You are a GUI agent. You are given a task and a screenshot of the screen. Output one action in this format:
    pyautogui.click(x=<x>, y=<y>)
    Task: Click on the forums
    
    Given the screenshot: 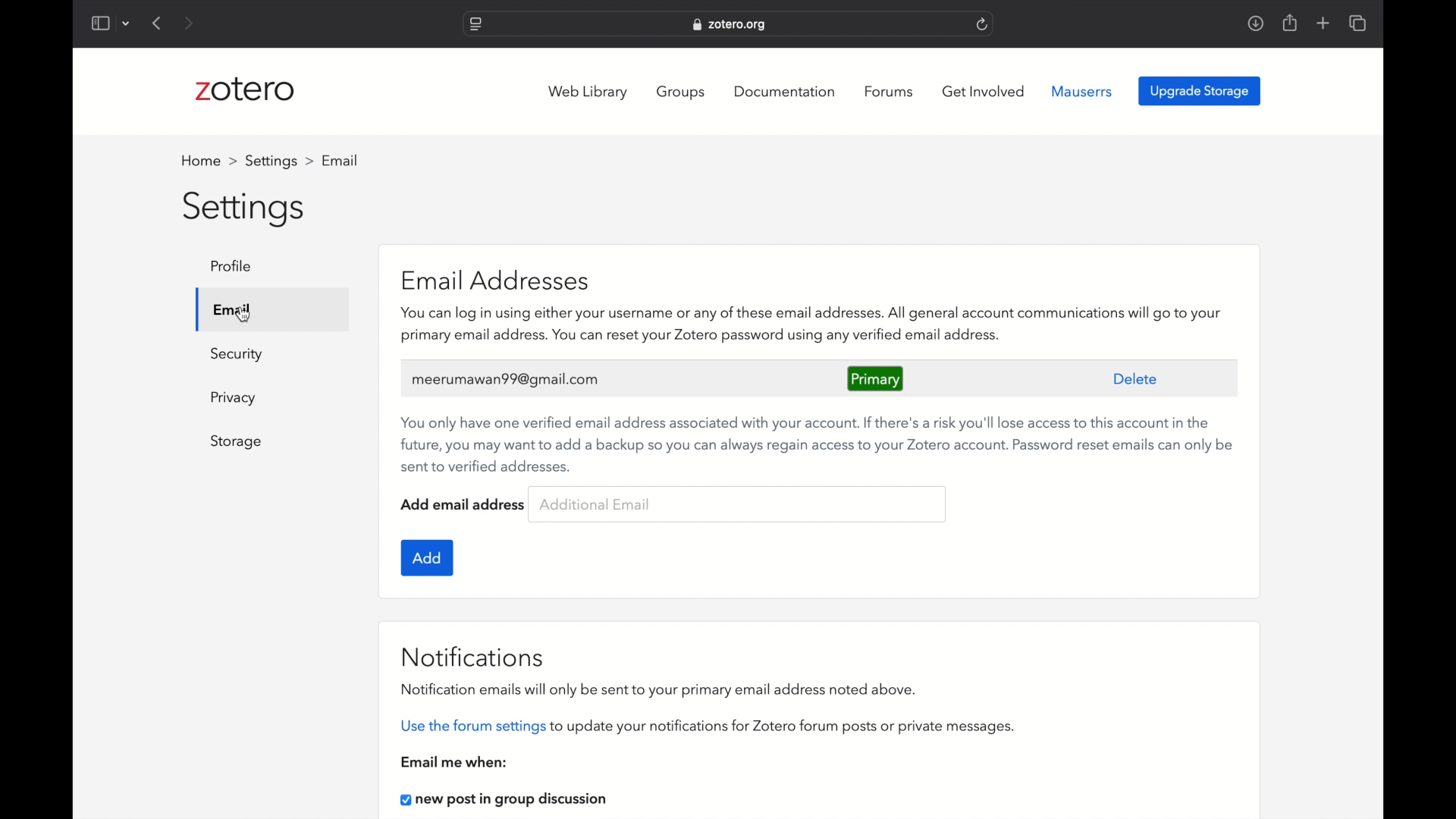 What is the action you would take?
    pyautogui.click(x=891, y=92)
    